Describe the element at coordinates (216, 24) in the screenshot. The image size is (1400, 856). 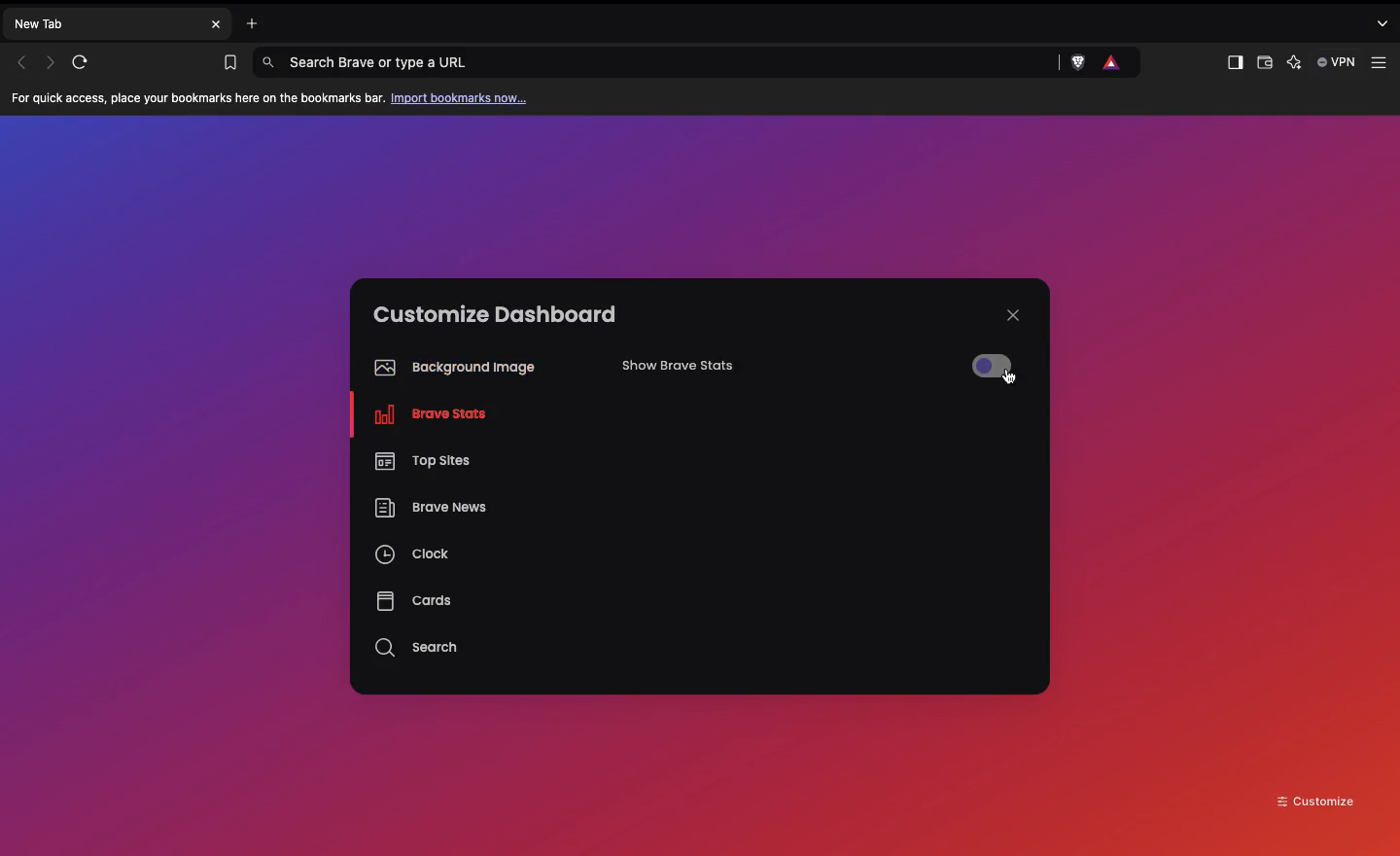
I see `Close new tab` at that location.